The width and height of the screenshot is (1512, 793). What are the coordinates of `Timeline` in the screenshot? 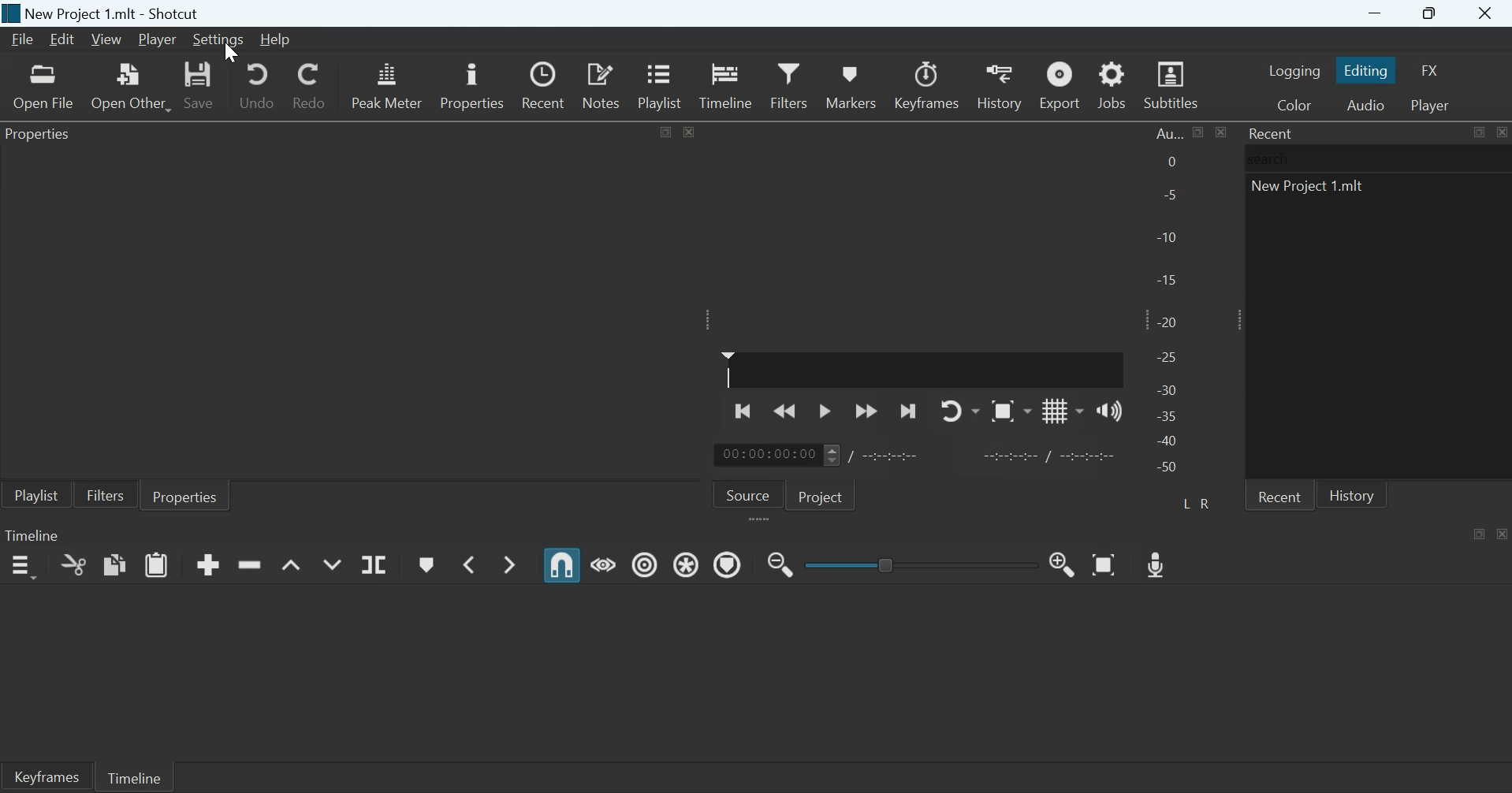 It's located at (32, 534).